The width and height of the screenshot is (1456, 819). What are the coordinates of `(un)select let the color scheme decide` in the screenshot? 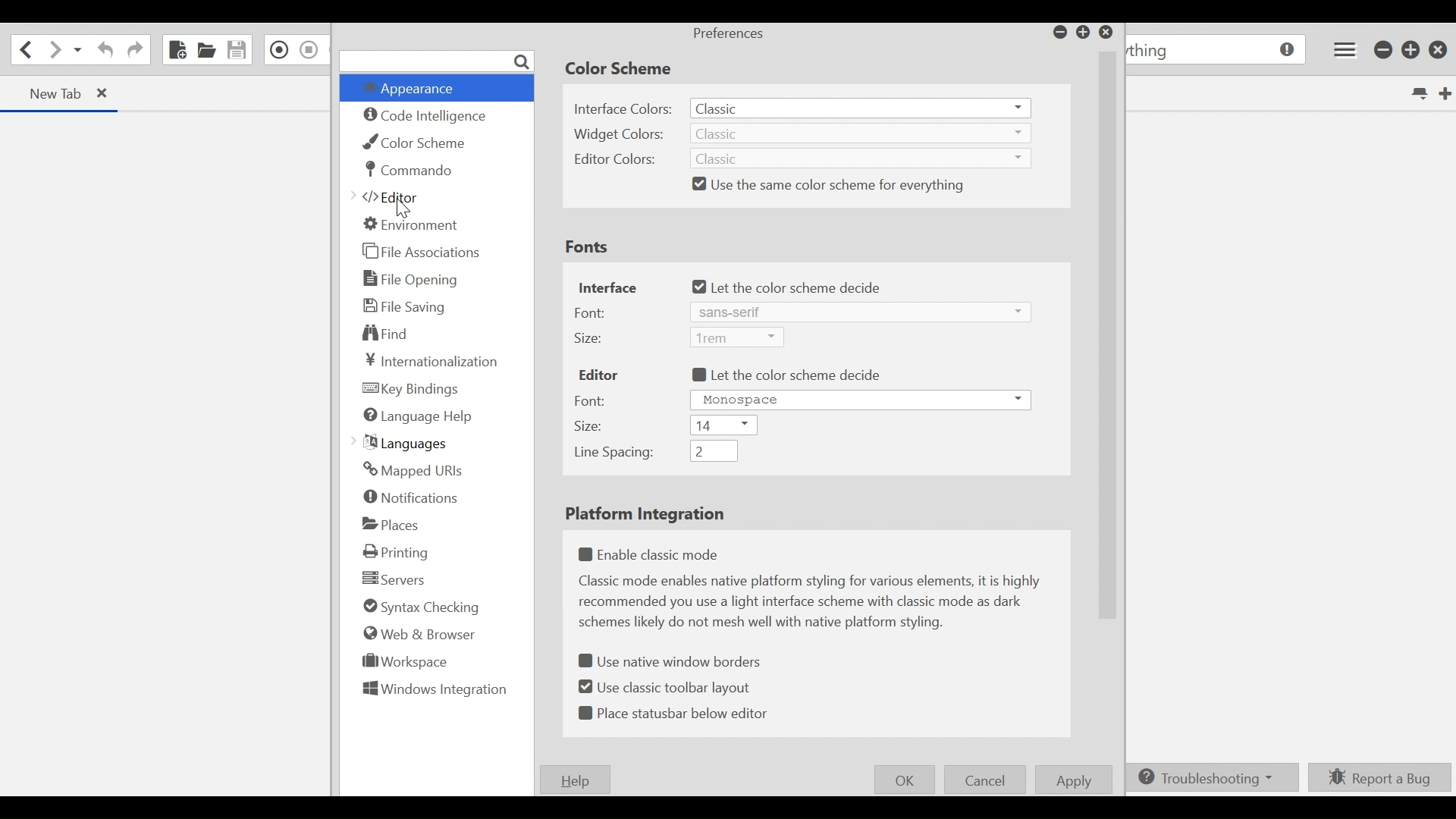 It's located at (791, 375).